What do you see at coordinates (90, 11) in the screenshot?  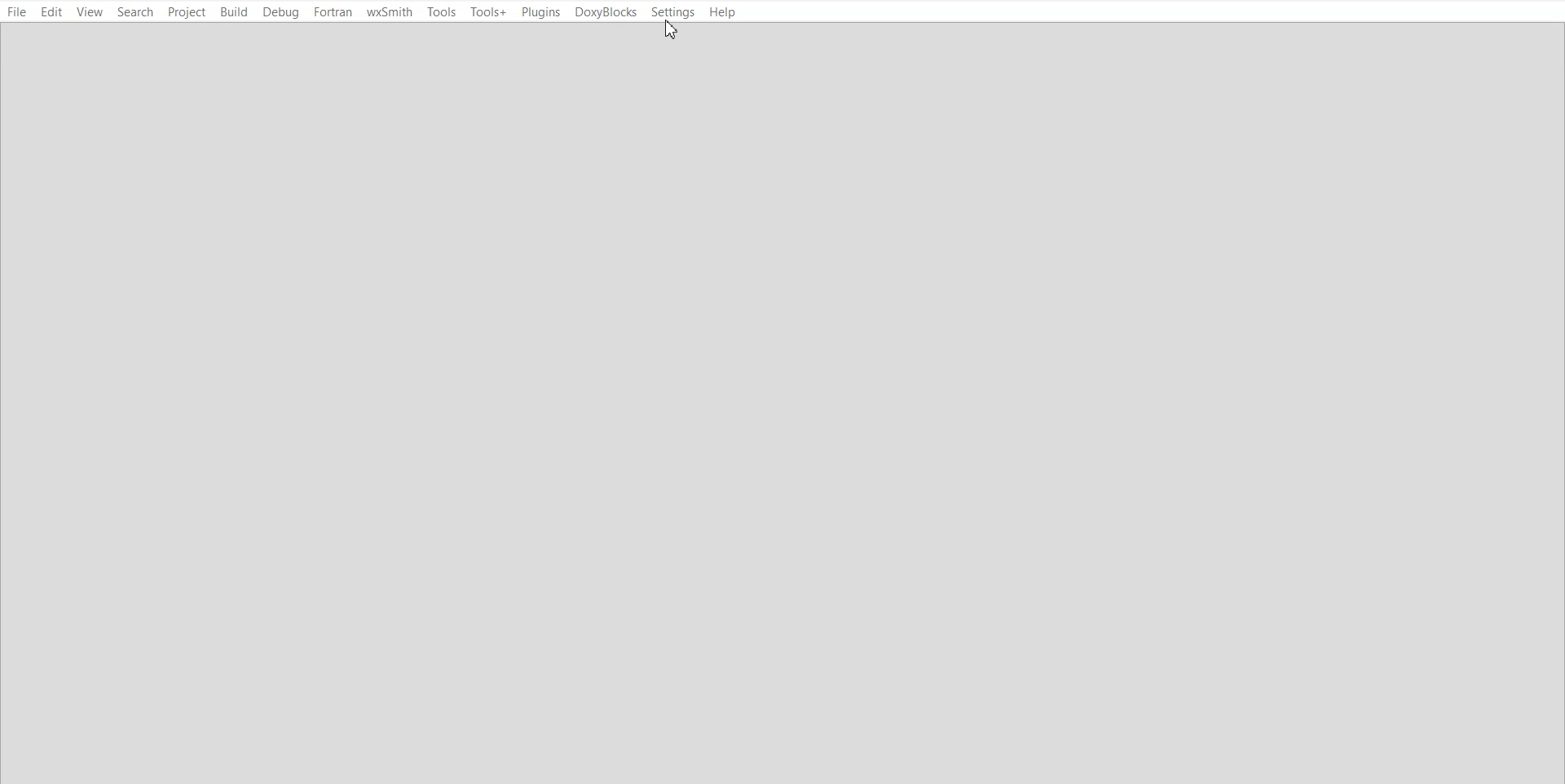 I see `View` at bounding box center [90, 11].